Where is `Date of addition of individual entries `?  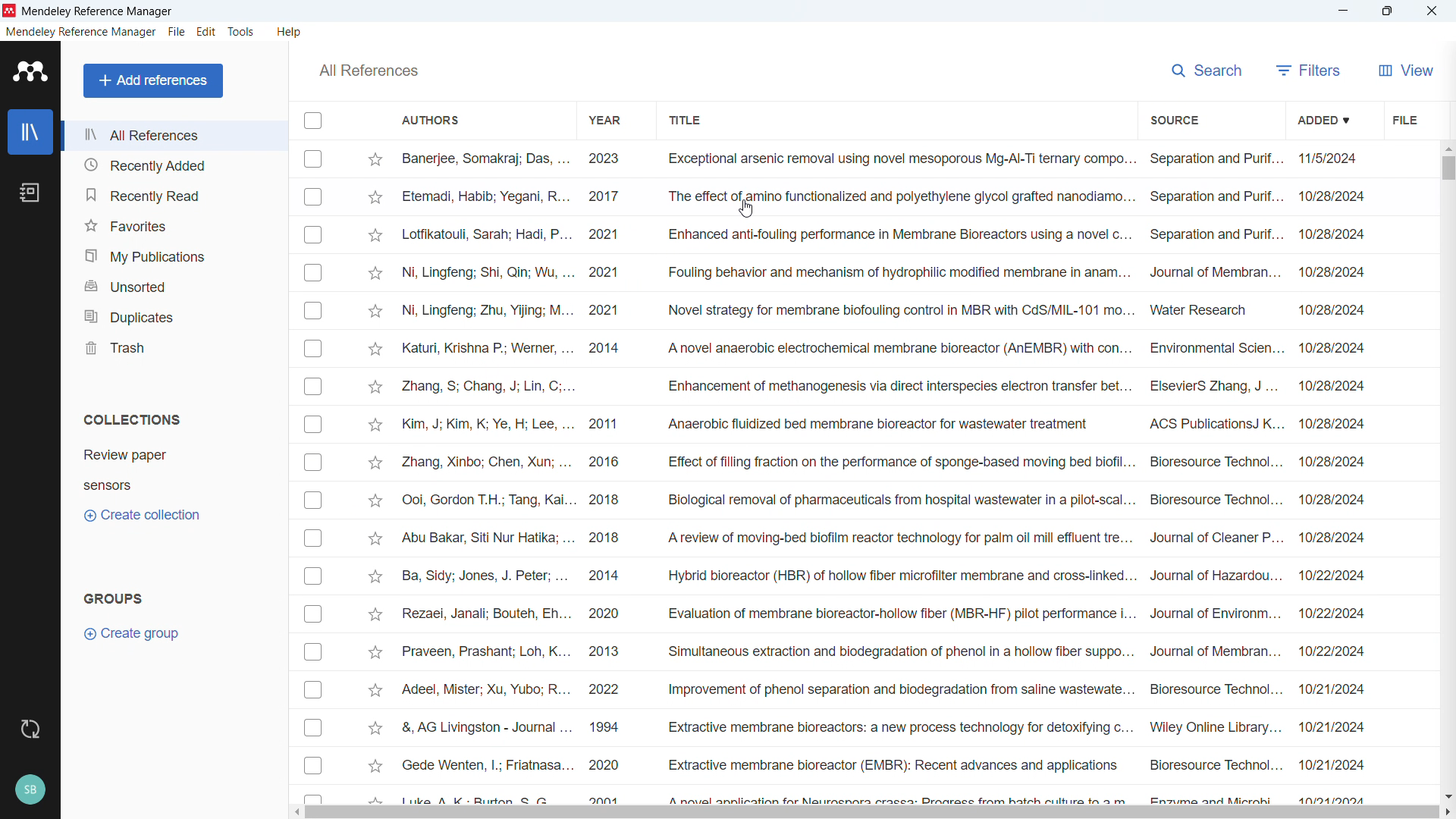
Date of addition of individual entries  is located at coordinates (1333, 475).